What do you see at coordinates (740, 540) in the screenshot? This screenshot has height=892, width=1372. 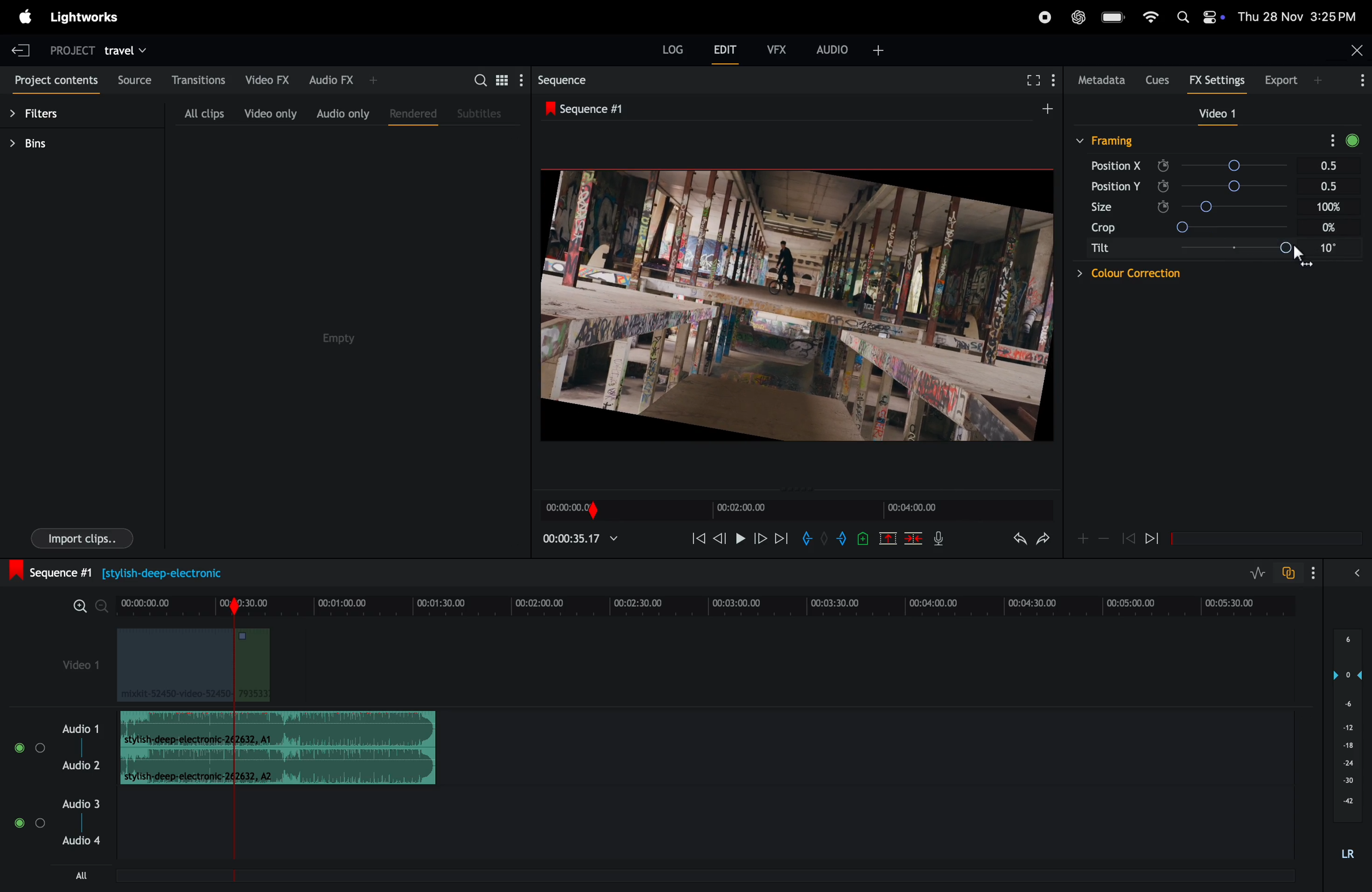 I see `pause ` at bounding box center [740, 540].